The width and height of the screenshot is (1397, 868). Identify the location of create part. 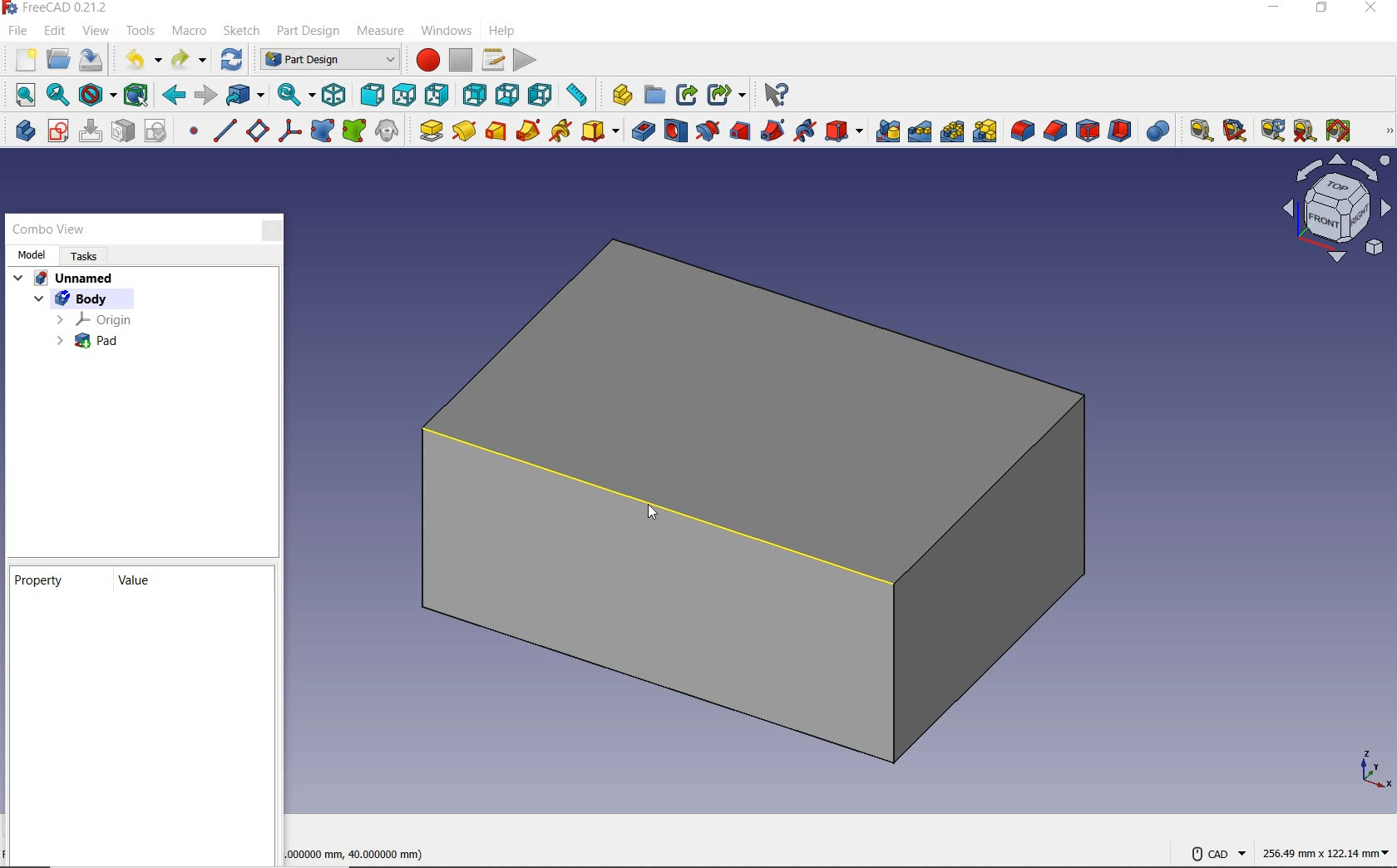
(618, 94).